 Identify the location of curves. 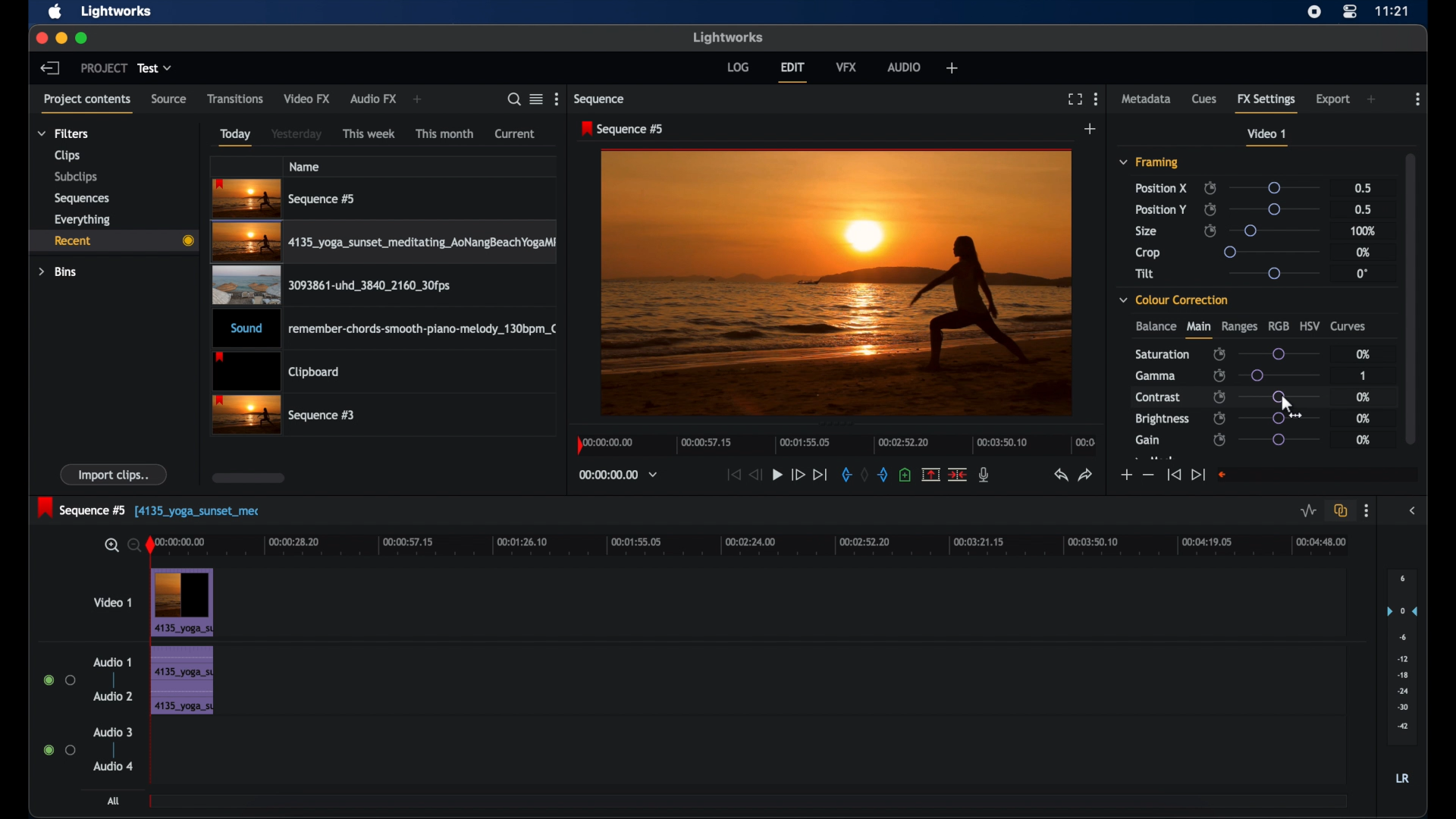
(1348, 327).